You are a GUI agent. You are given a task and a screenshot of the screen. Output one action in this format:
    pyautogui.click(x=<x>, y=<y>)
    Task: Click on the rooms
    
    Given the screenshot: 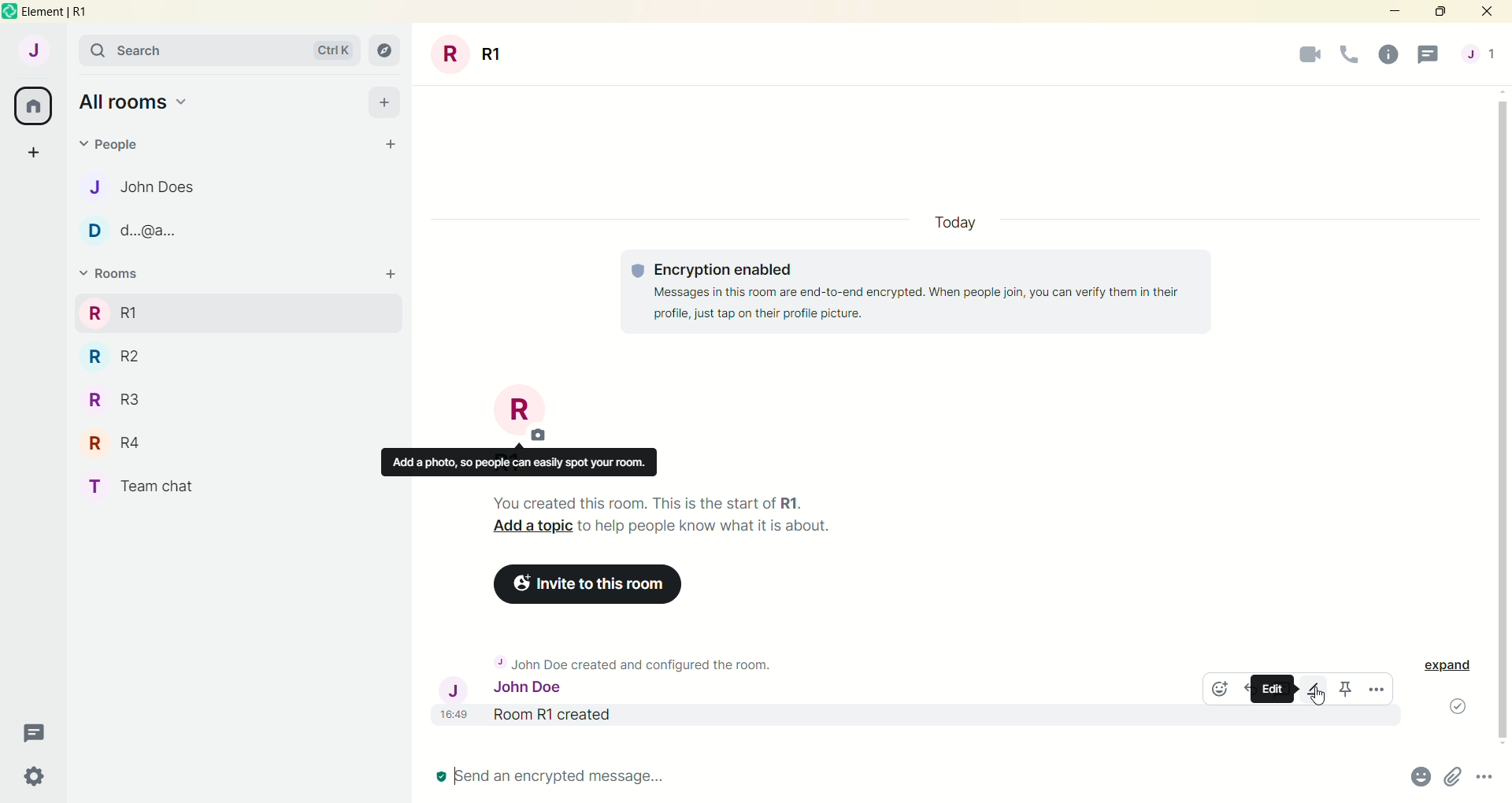 What is the action you would take?
    pyautogui.click(x=117, y=274)
    